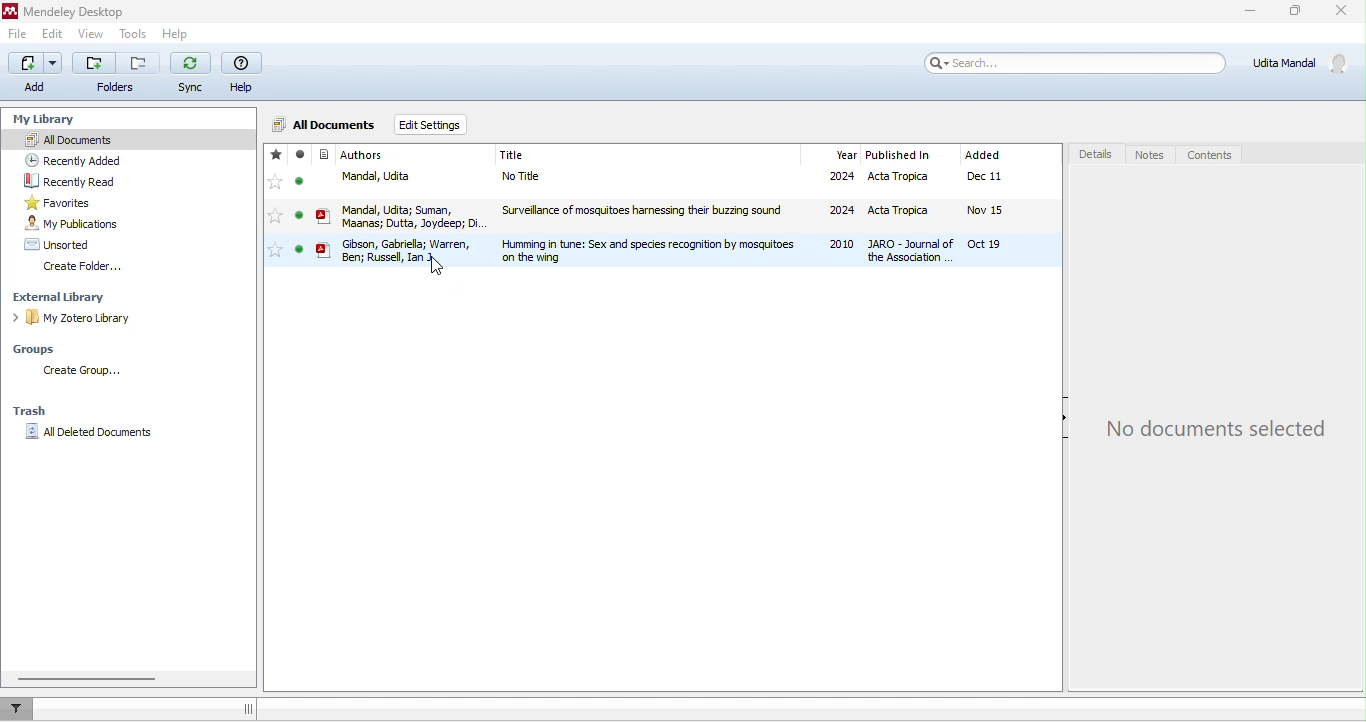  Describe the element at coordinates (61, 203) in the screenshot. I see `favourites` at that location.